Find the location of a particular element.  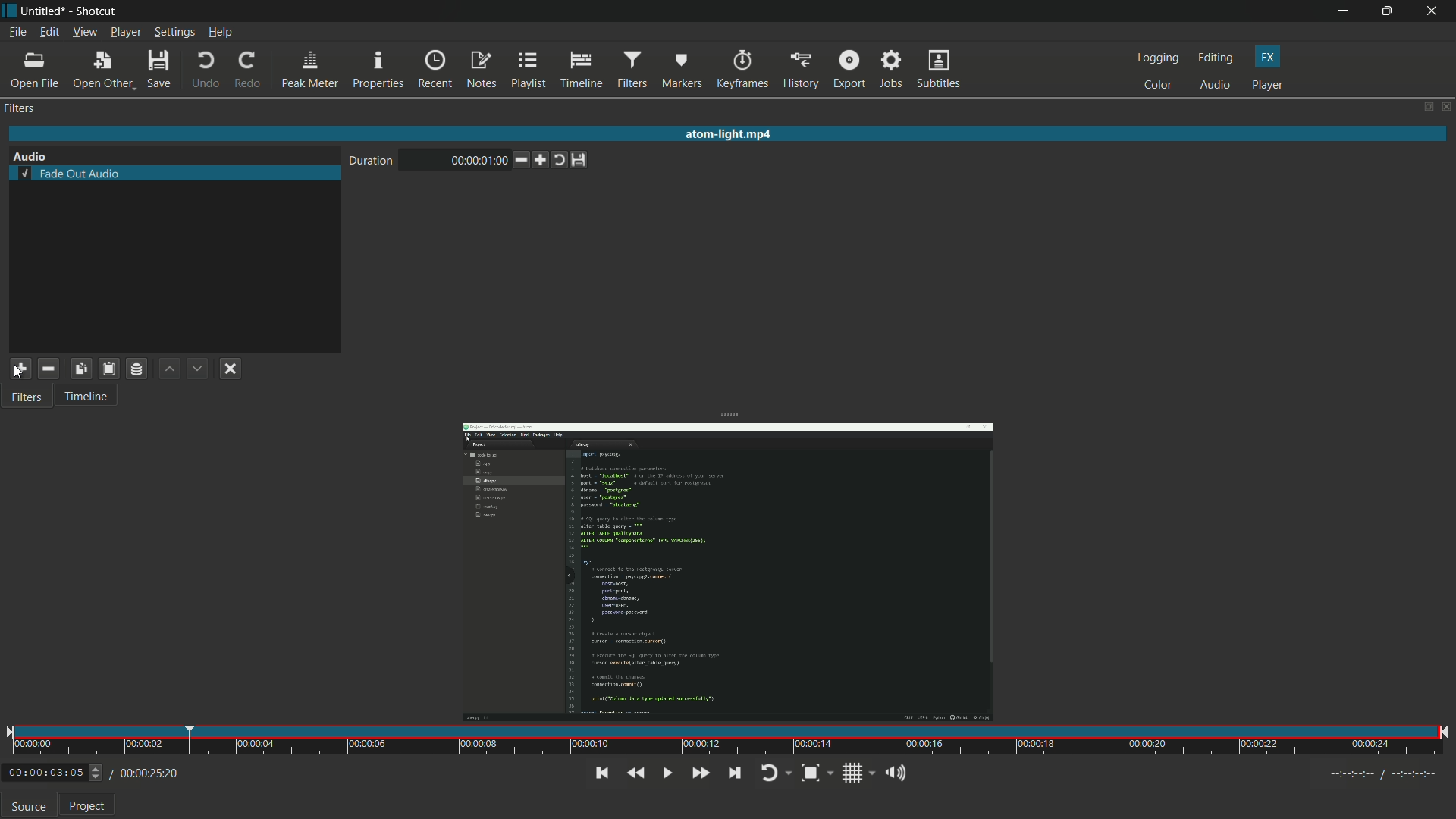

logging is located at coordinates (1157, 58).